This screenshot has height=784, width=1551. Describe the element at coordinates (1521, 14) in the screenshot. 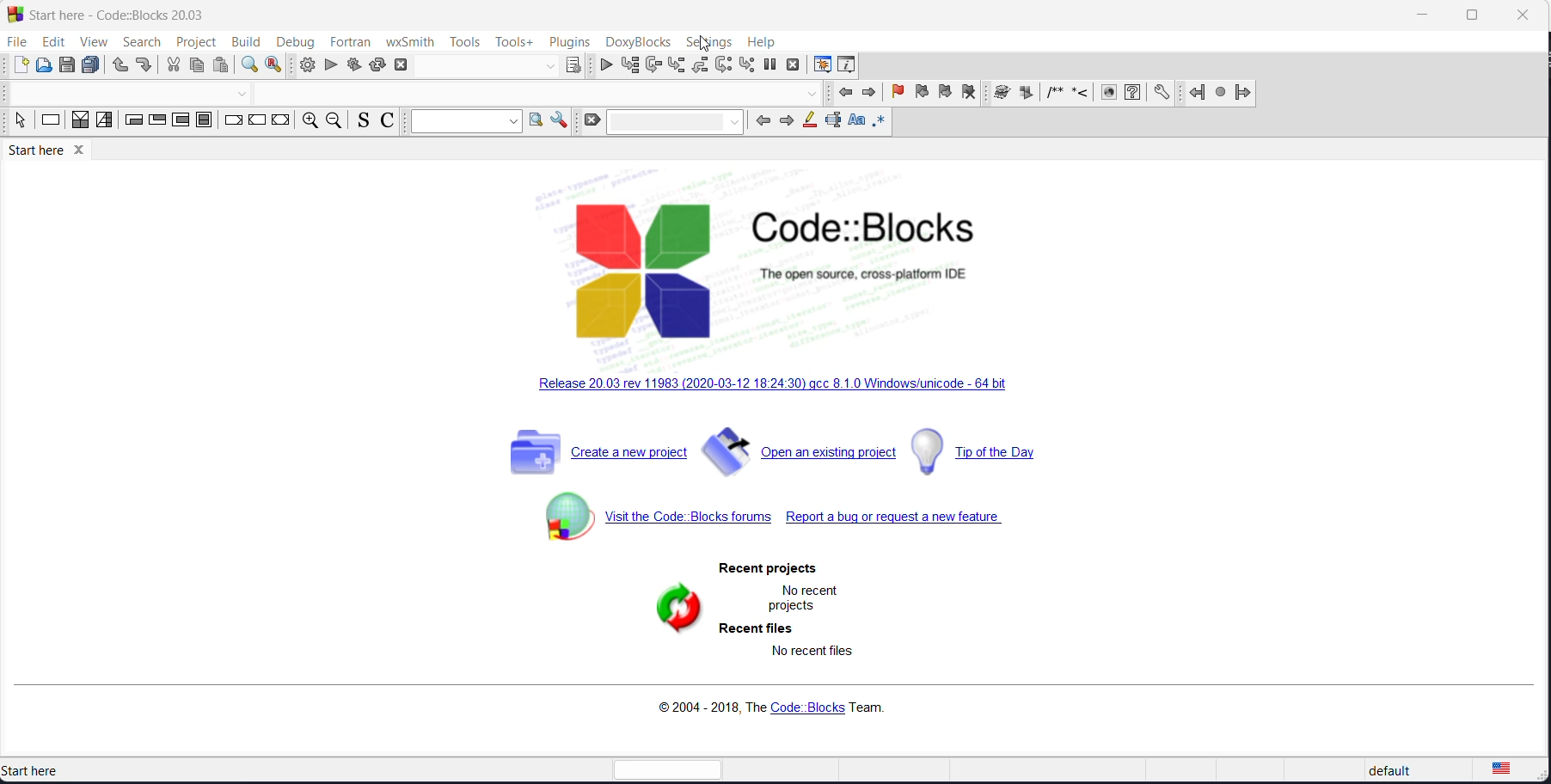

I see `close` at that location.